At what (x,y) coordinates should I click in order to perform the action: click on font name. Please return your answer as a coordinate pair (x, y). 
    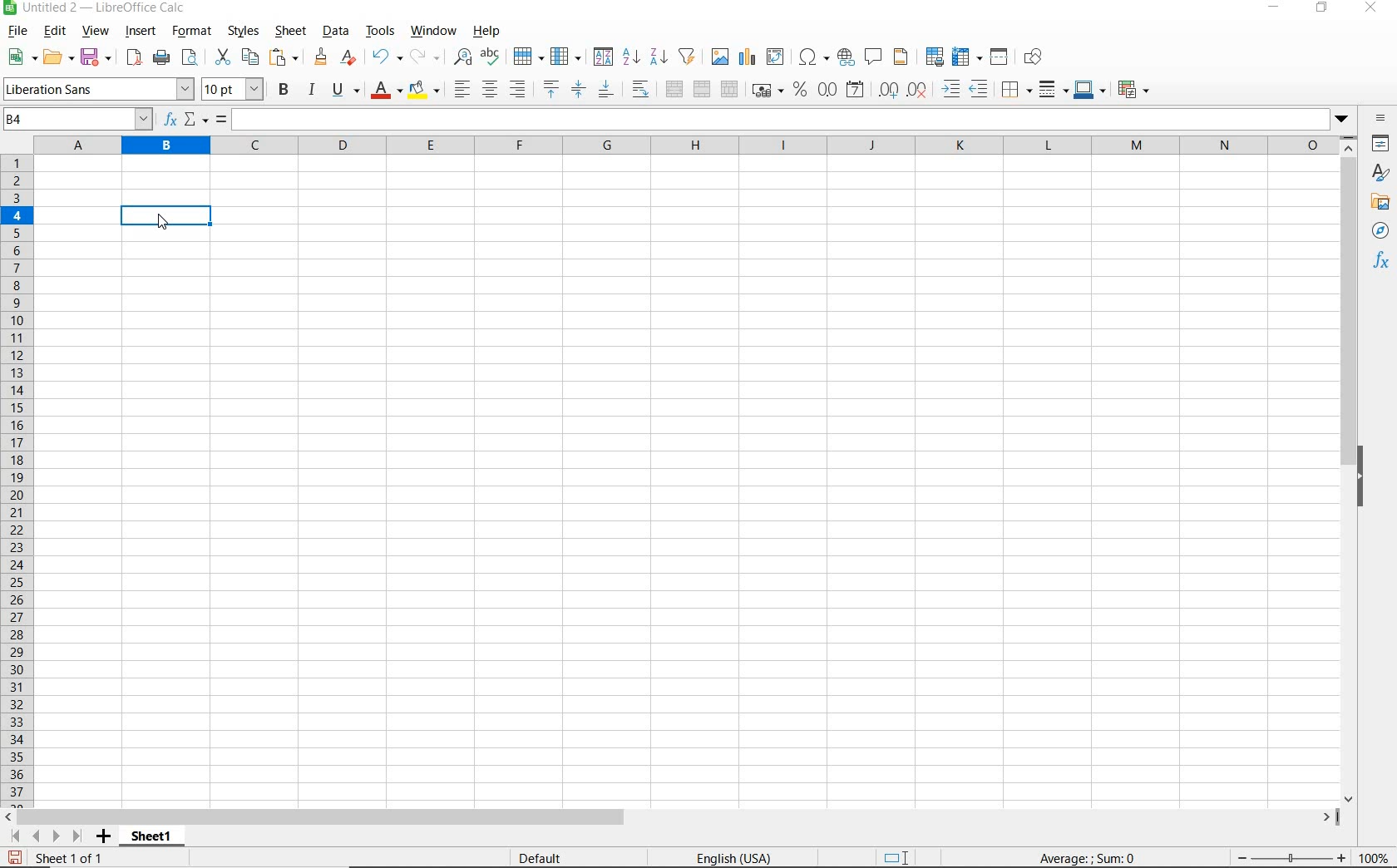
    Looking at the image, I should click on (99, 89).